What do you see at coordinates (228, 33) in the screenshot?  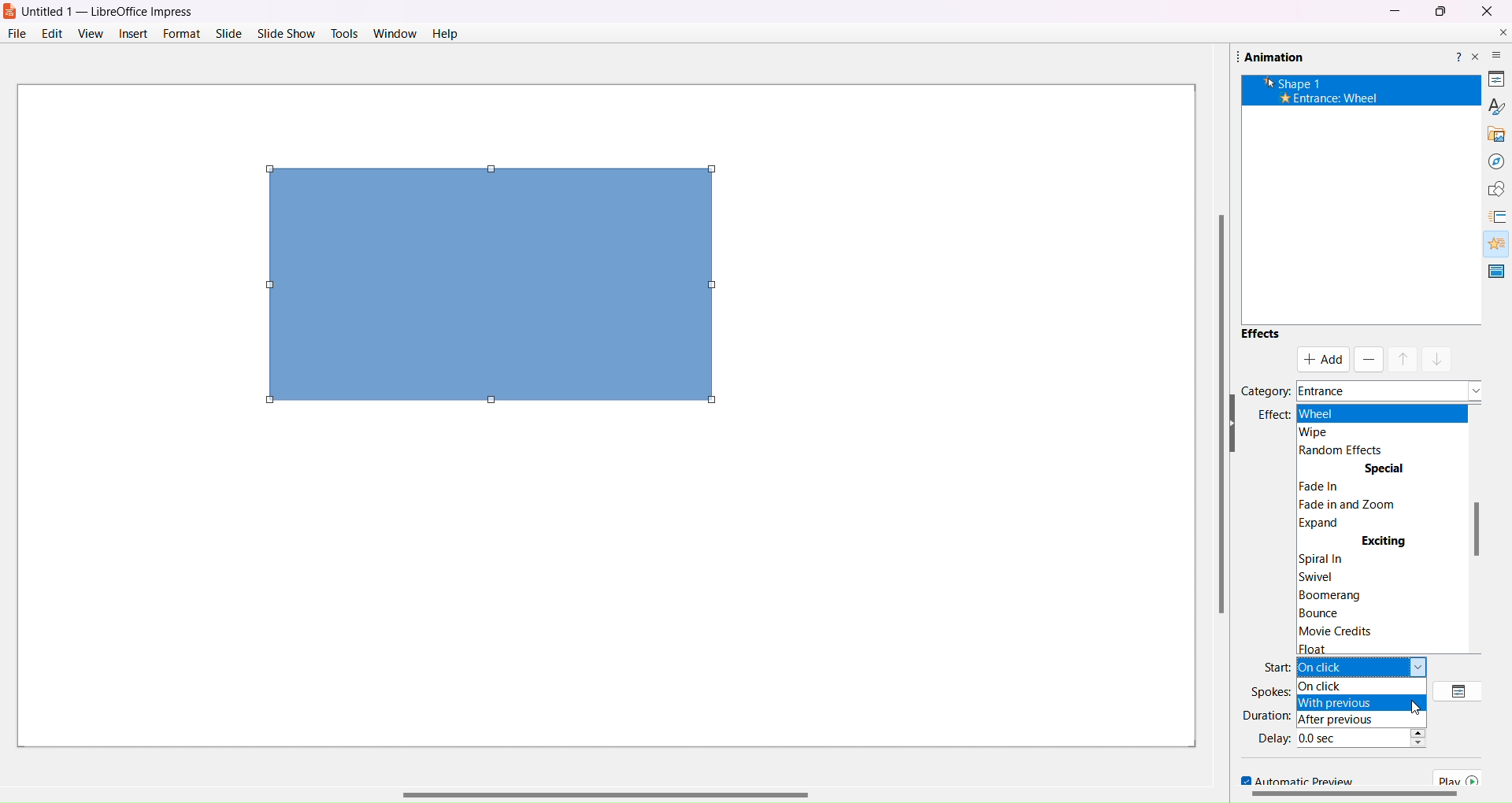 I see `Slide` at bounding box center [228, 33].